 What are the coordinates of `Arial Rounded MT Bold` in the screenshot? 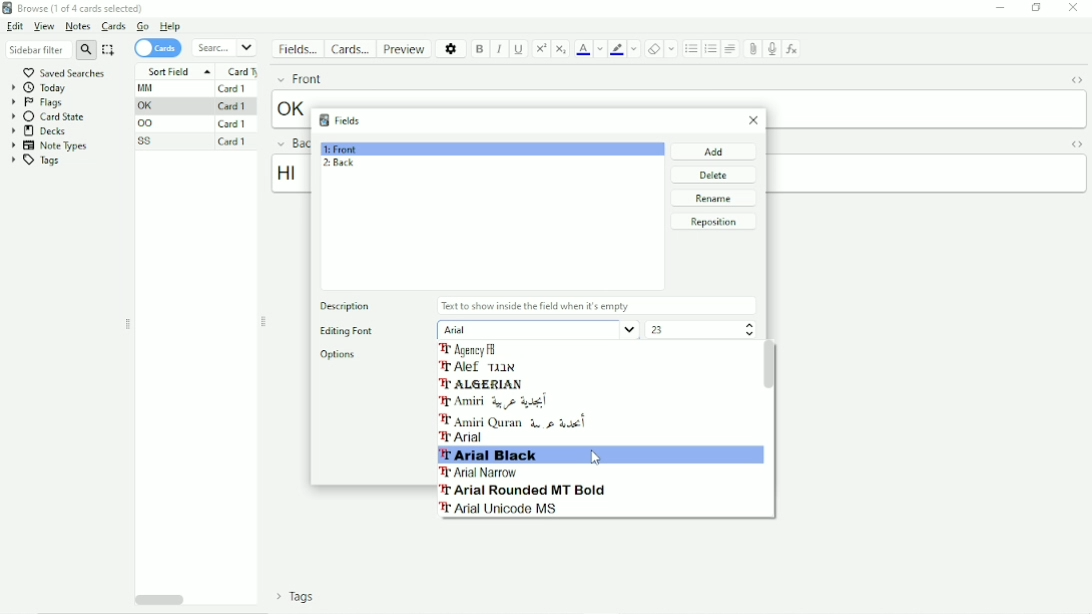 It's located at (524, 490).